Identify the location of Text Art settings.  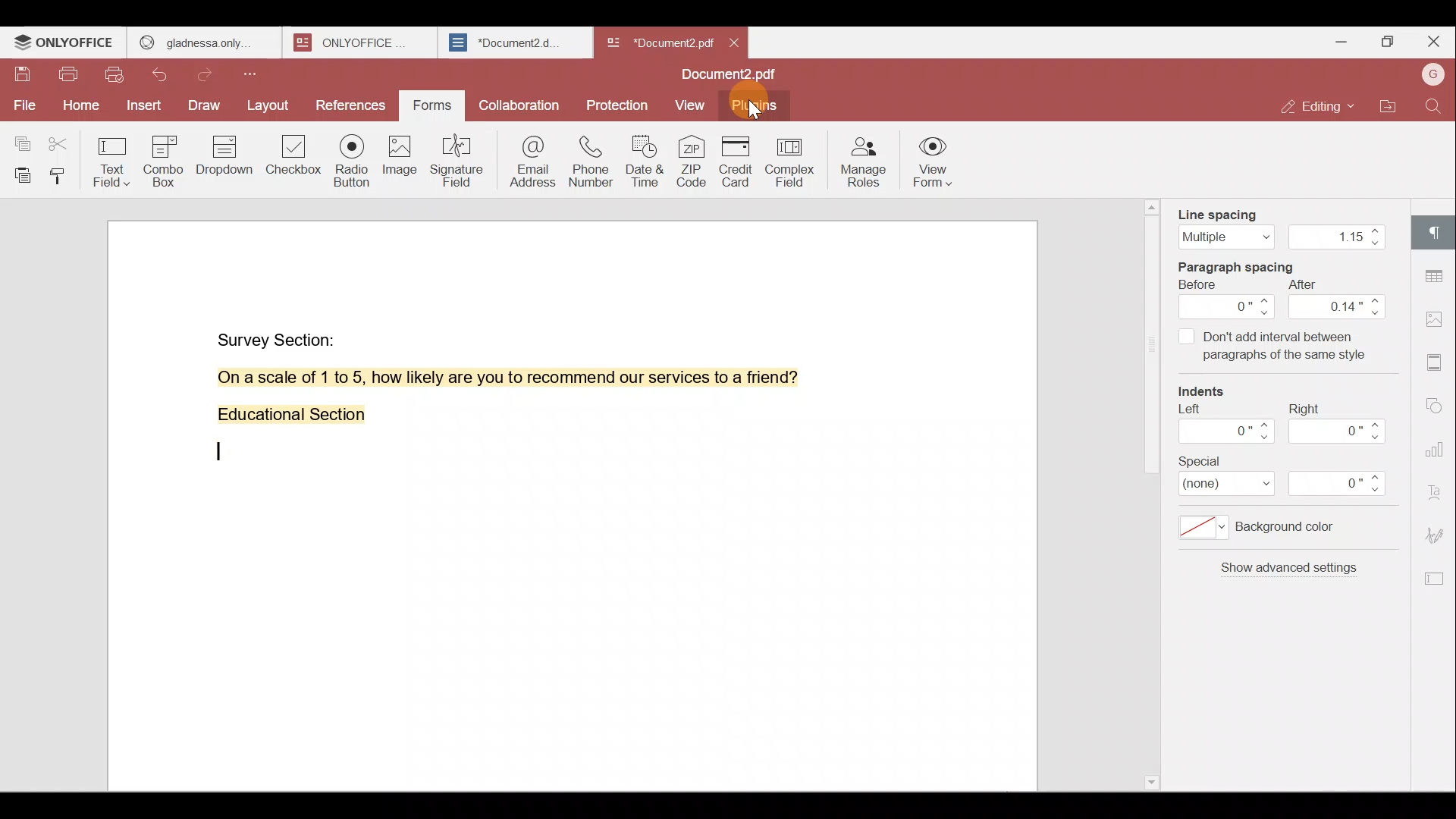
(1437, 488).